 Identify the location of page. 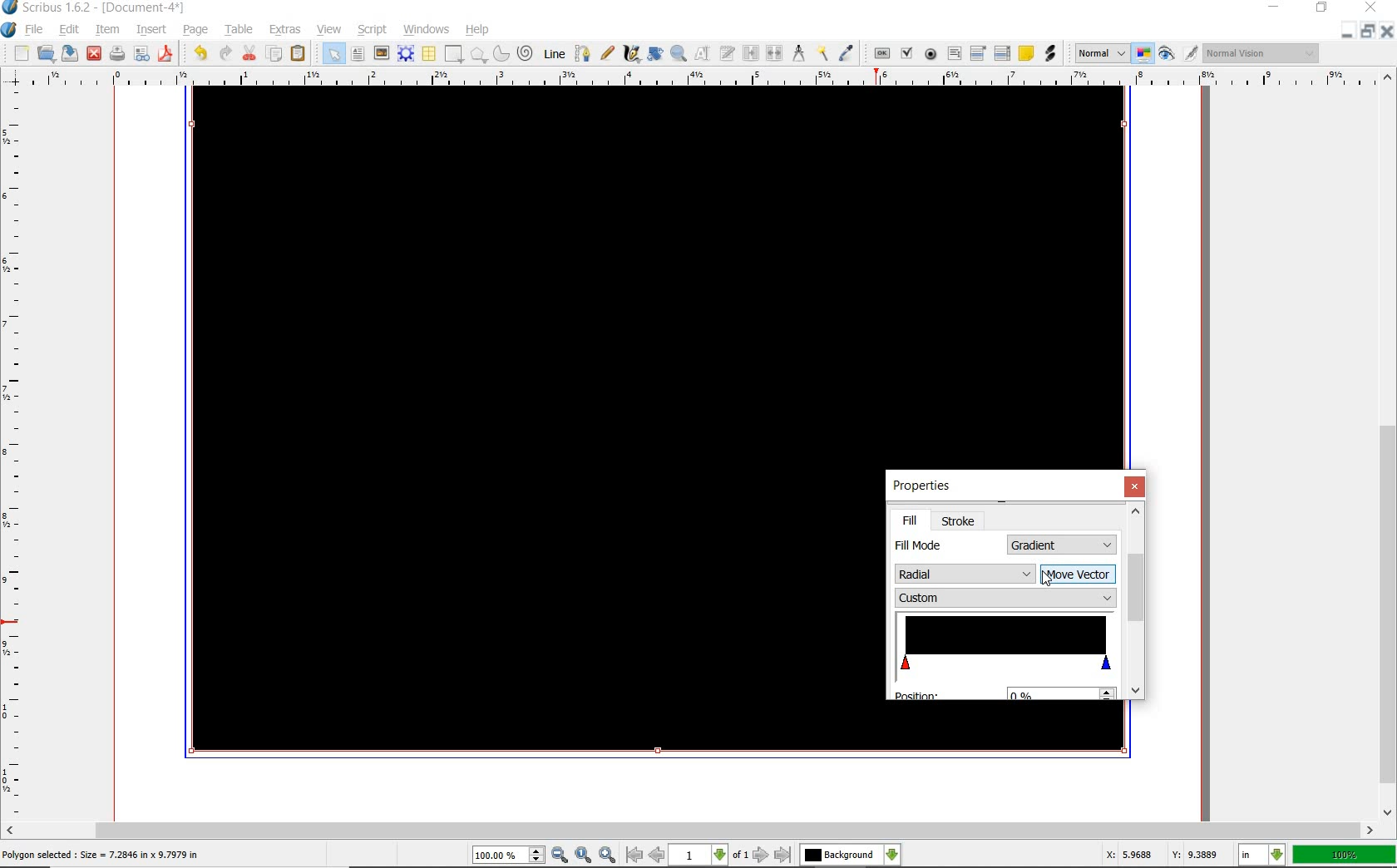
(197, 31).